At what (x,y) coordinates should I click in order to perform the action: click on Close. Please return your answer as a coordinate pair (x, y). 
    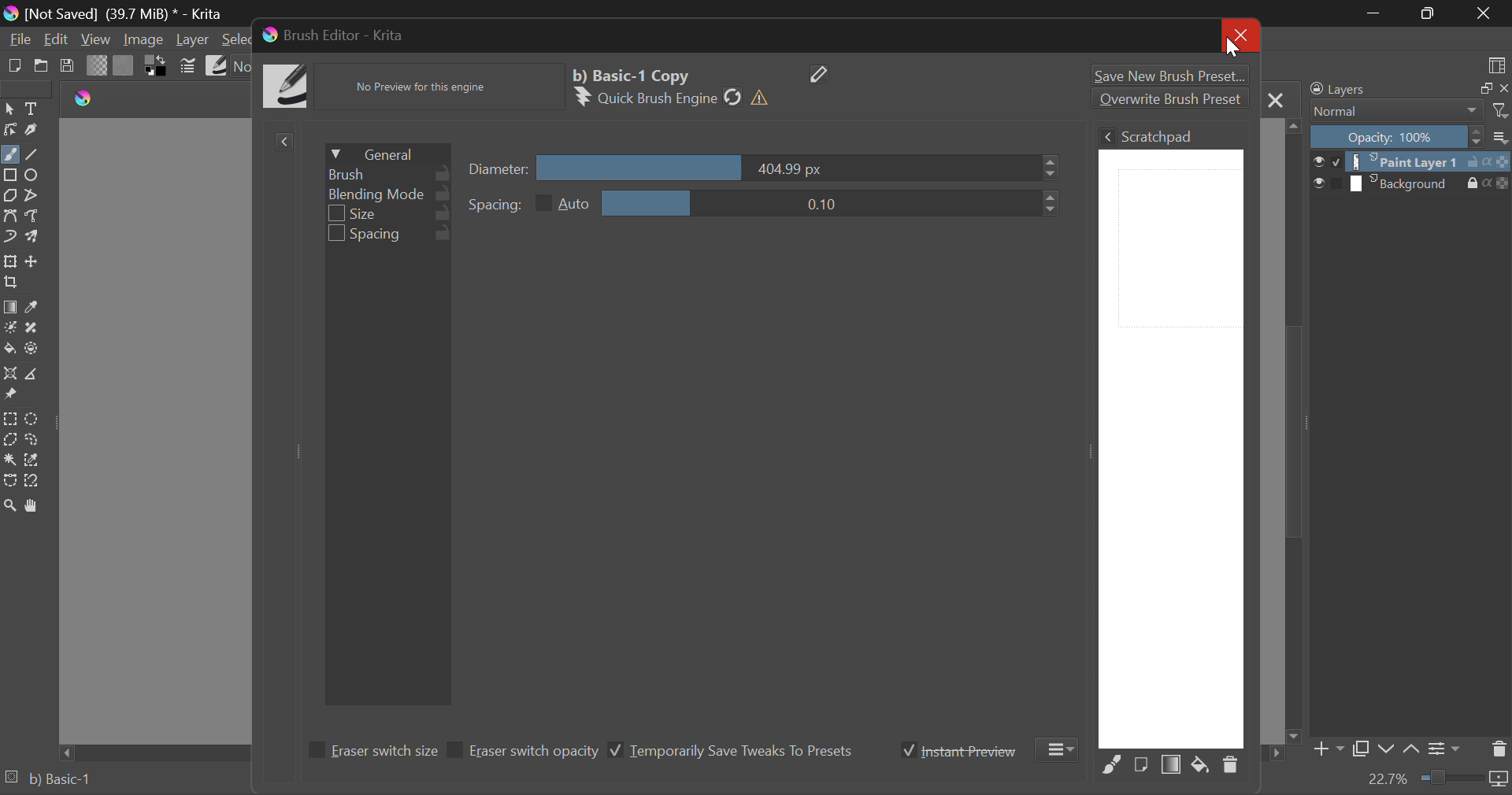
    Looking at the image, I should click on (1484, 13).